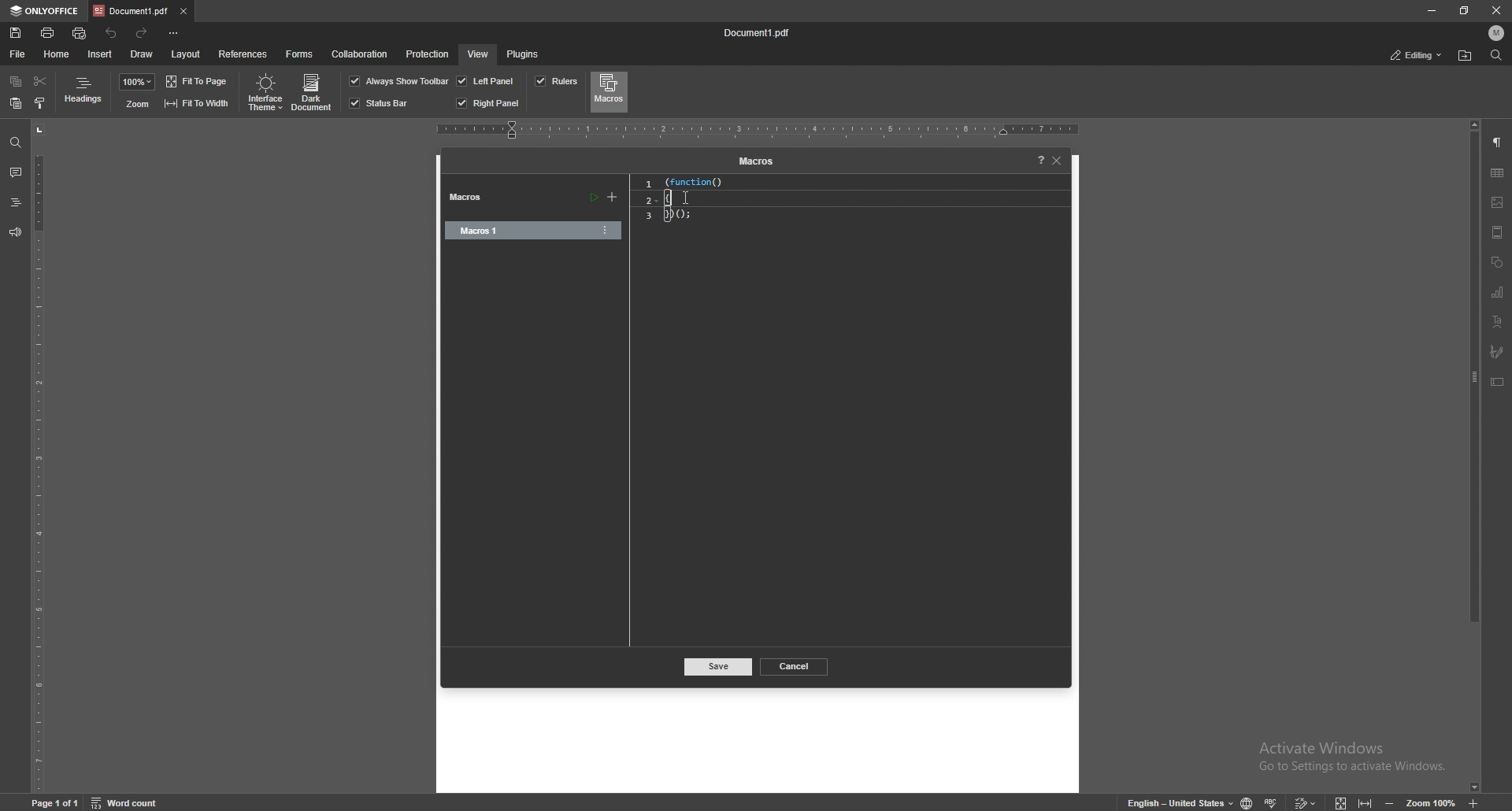  What do you see at coordinates (243, 53) in the screenshot?
I see `references` at bounding box center [243, 53].